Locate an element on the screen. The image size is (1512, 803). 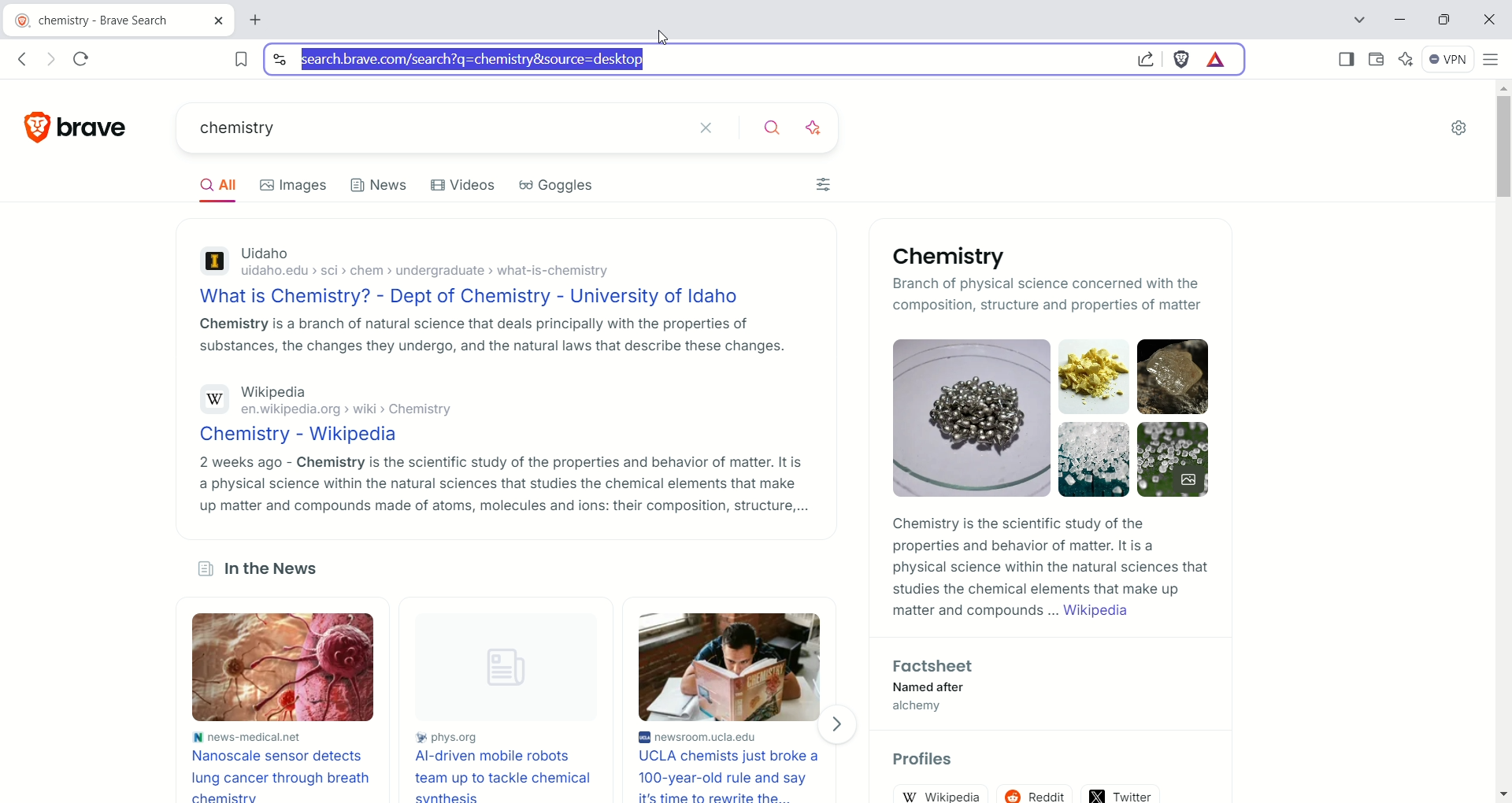
uidaho logo is located at coordinates (213, 264).